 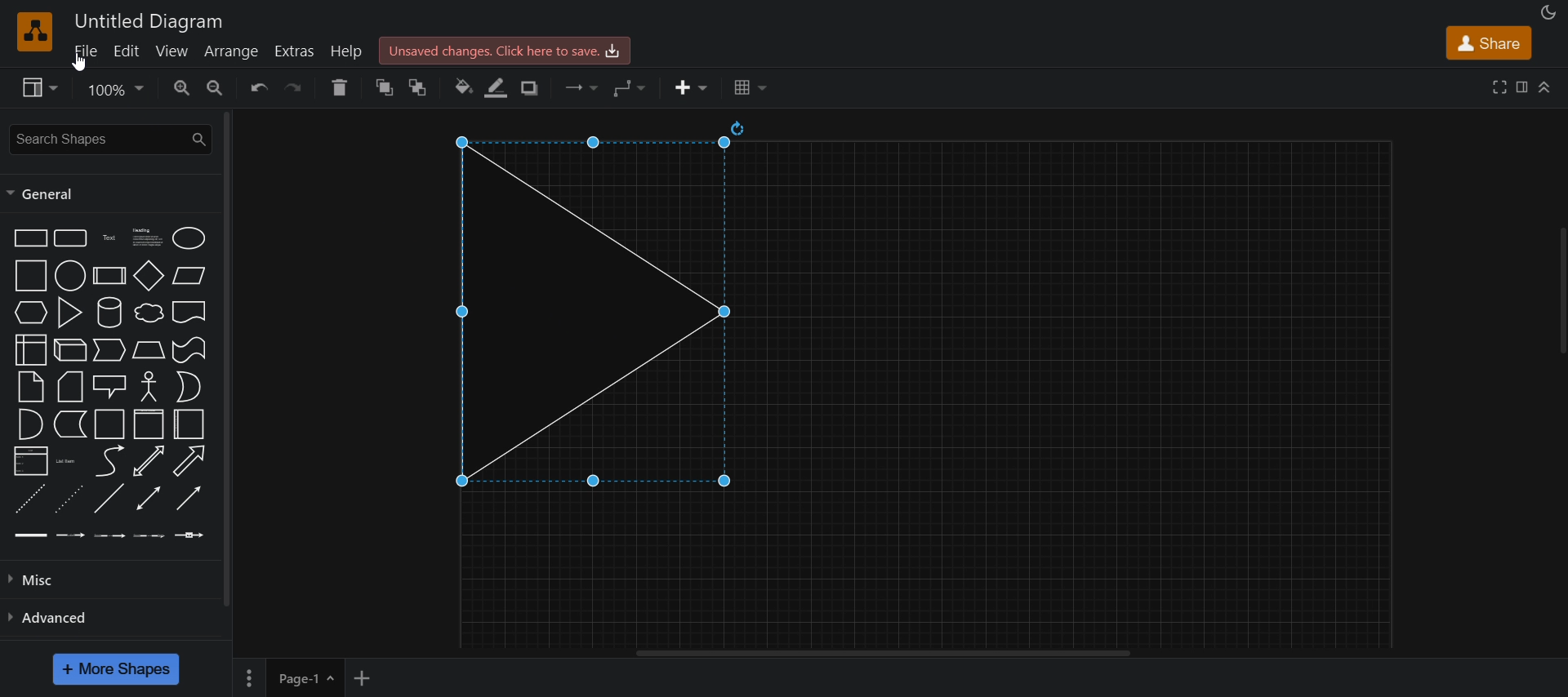 I want to click on card, so click(x=69, y=386).